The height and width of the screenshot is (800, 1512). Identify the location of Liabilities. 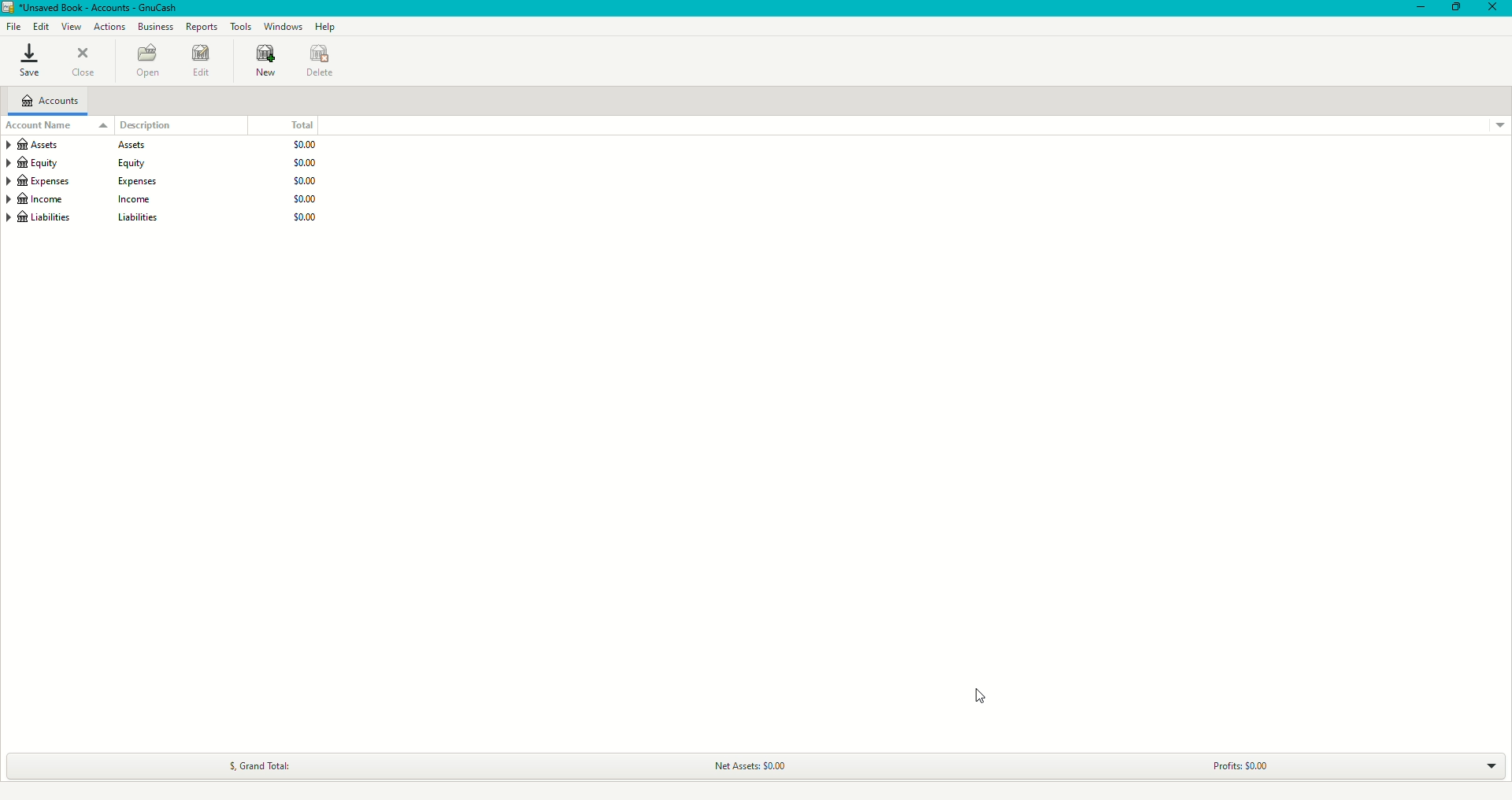
(165, 220).